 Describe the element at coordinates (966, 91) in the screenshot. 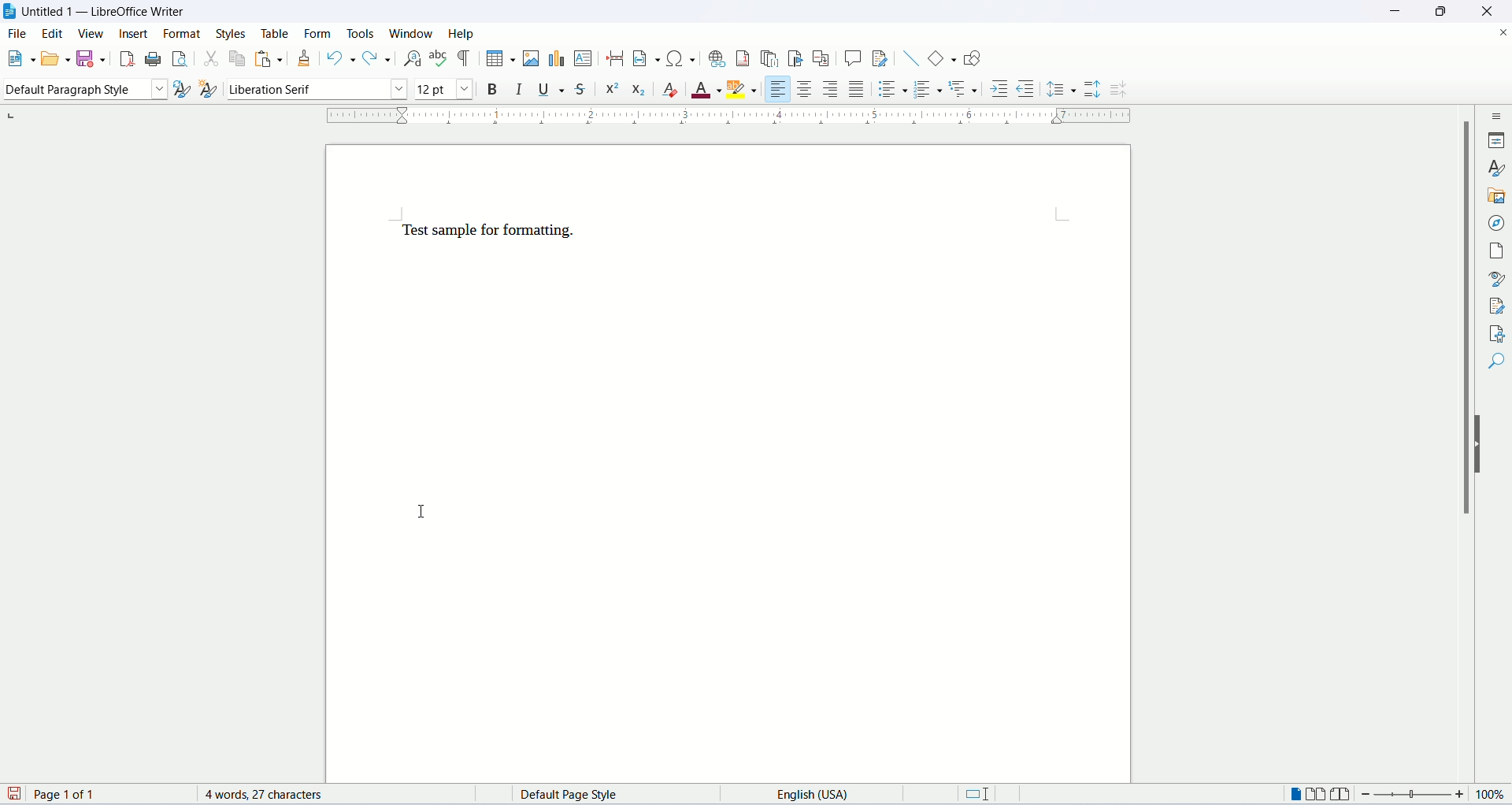

I see `format outline` at that location.